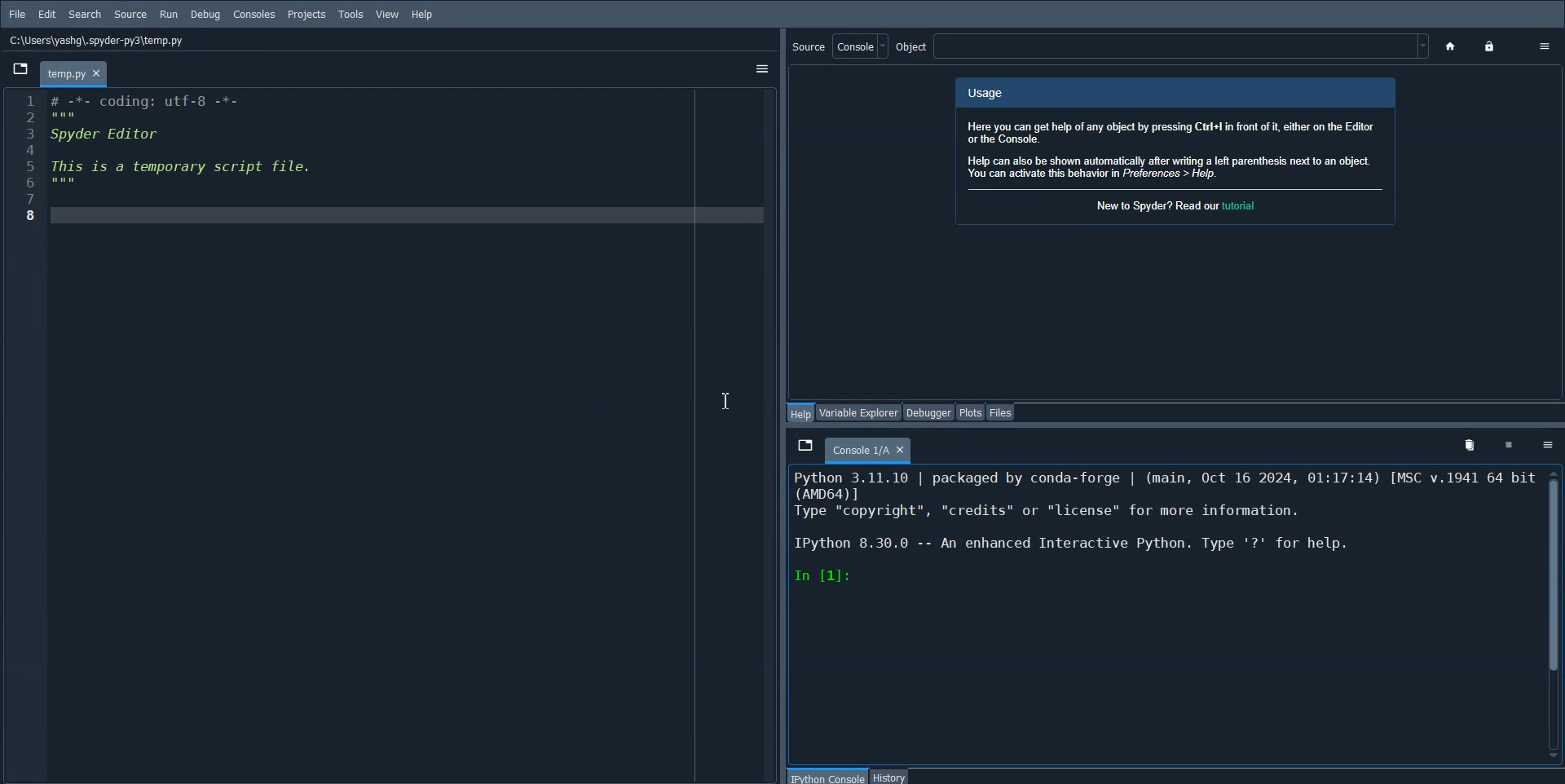  I want to click on tab - temp.py, so click(73, 74).